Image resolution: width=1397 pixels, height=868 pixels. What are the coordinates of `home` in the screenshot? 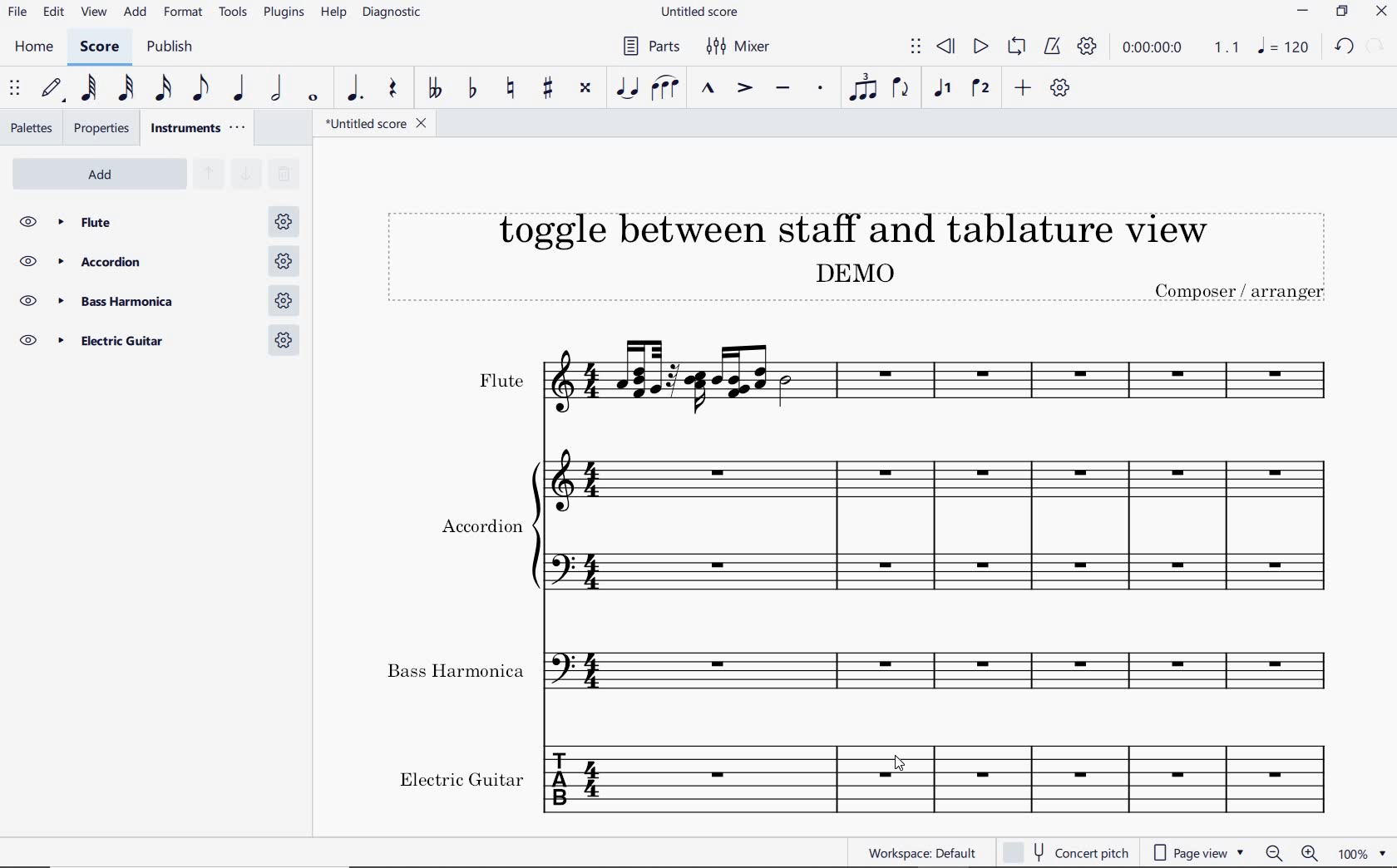 It's located at (34, 47).